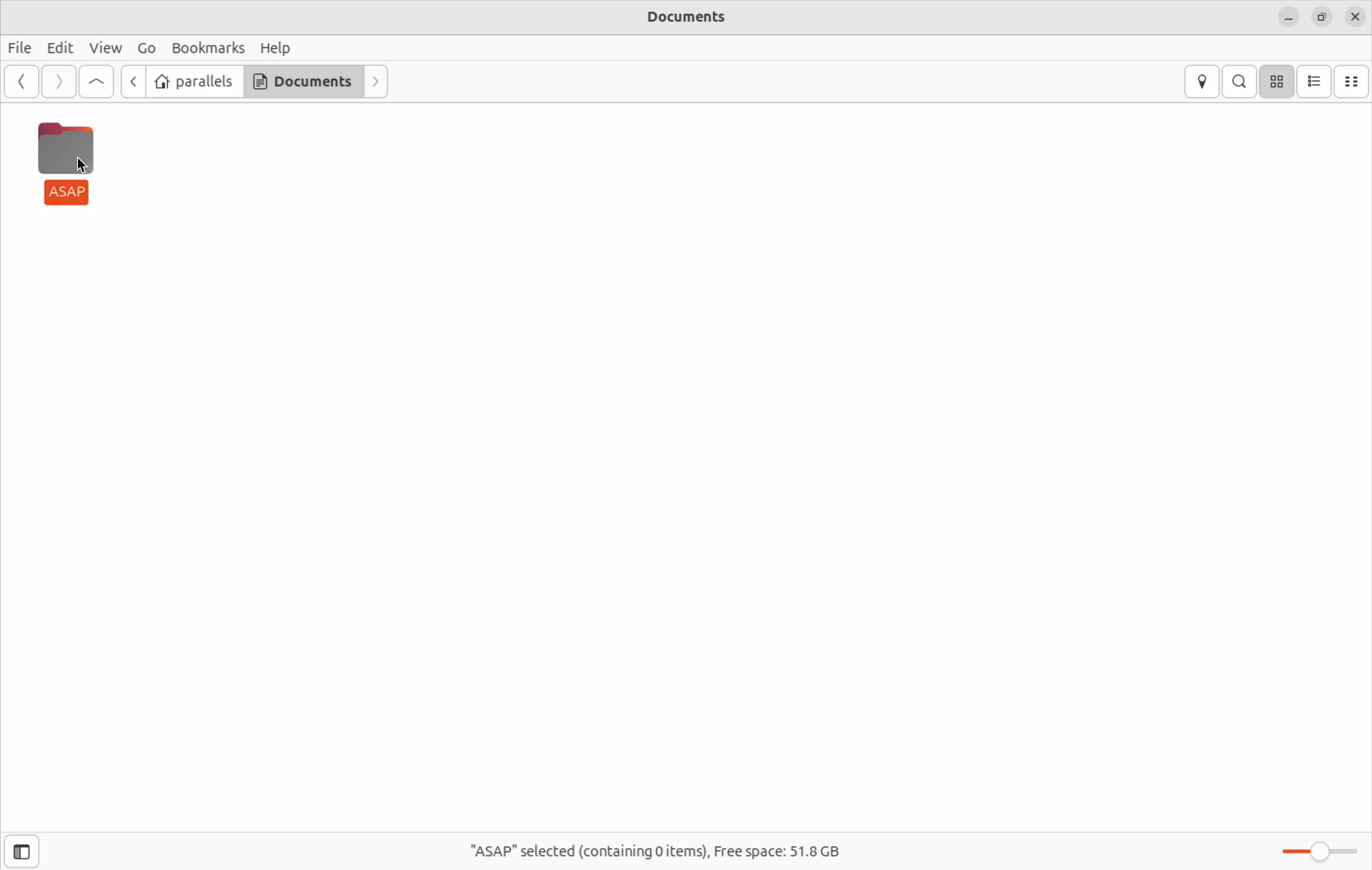 Image resolution: width=1372 pixels, height=870 pixels. What do you see at coordinates (690, 19) in the screenshot?
I see `Documents` at bounding box center [690, 19].